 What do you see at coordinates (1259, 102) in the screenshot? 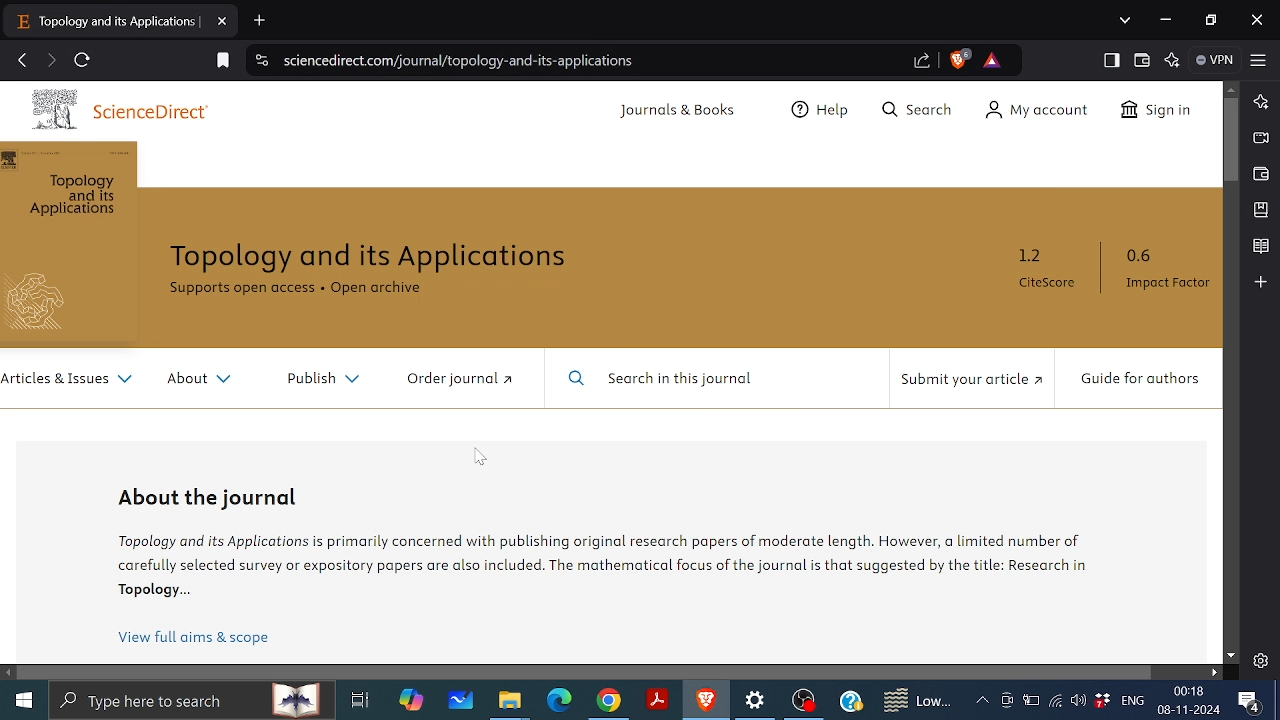
I see `Leo AI` at bounding box center [1259, 102].